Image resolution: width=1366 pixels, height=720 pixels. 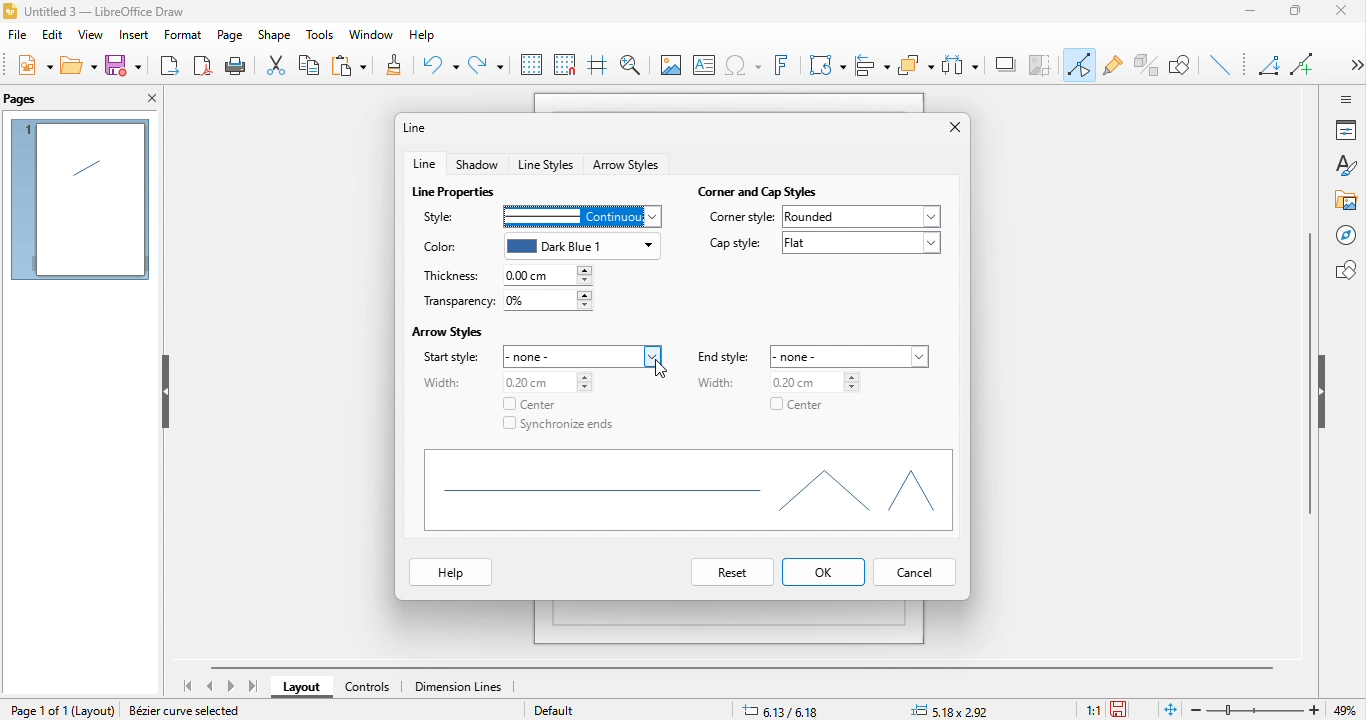 I want to click on pages, so click(x=36, y=98).